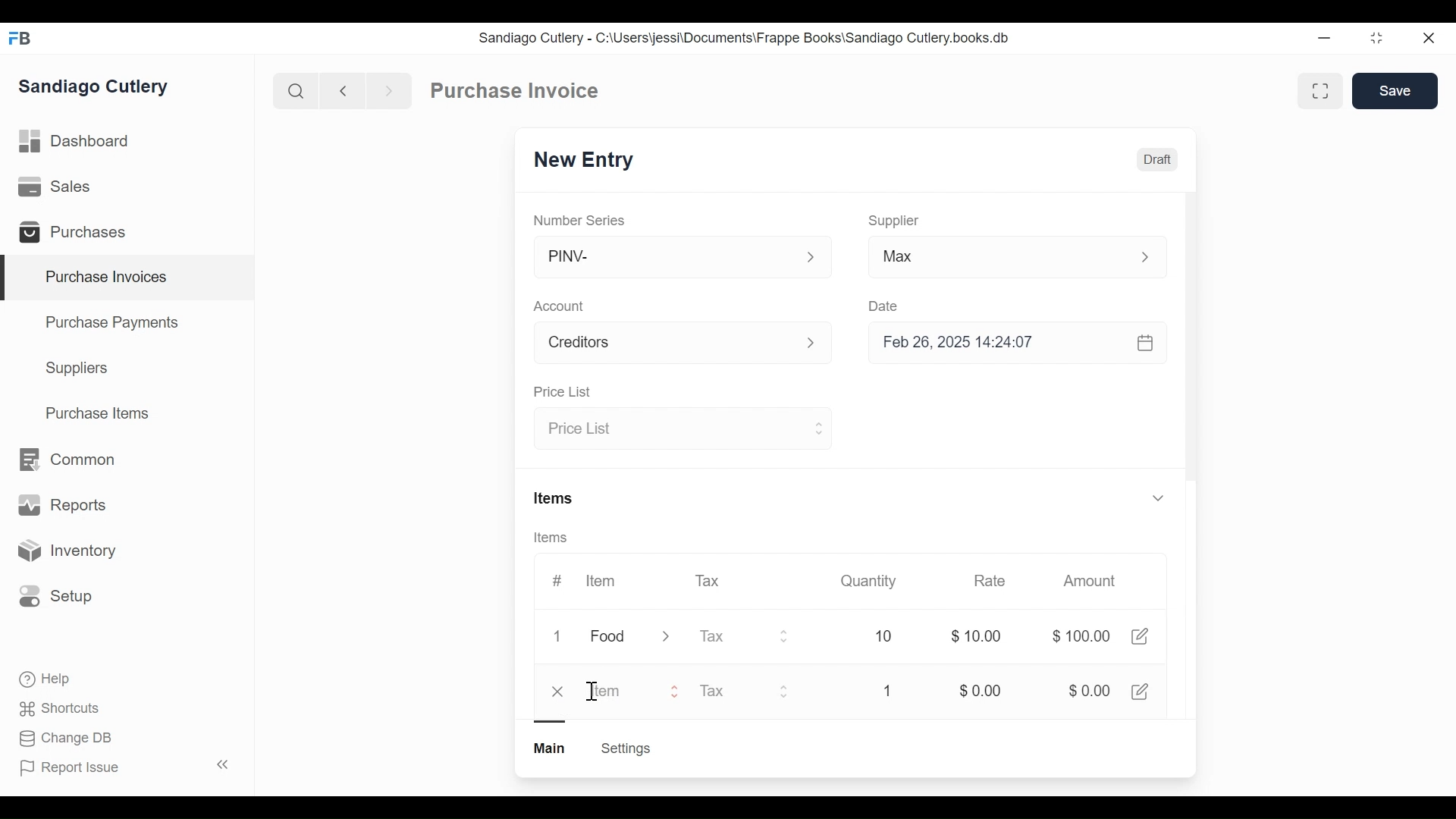 The height and width of the screenshot is (819, 1456). Describe the element at coordinates (988, 581) in the screenshot. I see `Rate` at that location.